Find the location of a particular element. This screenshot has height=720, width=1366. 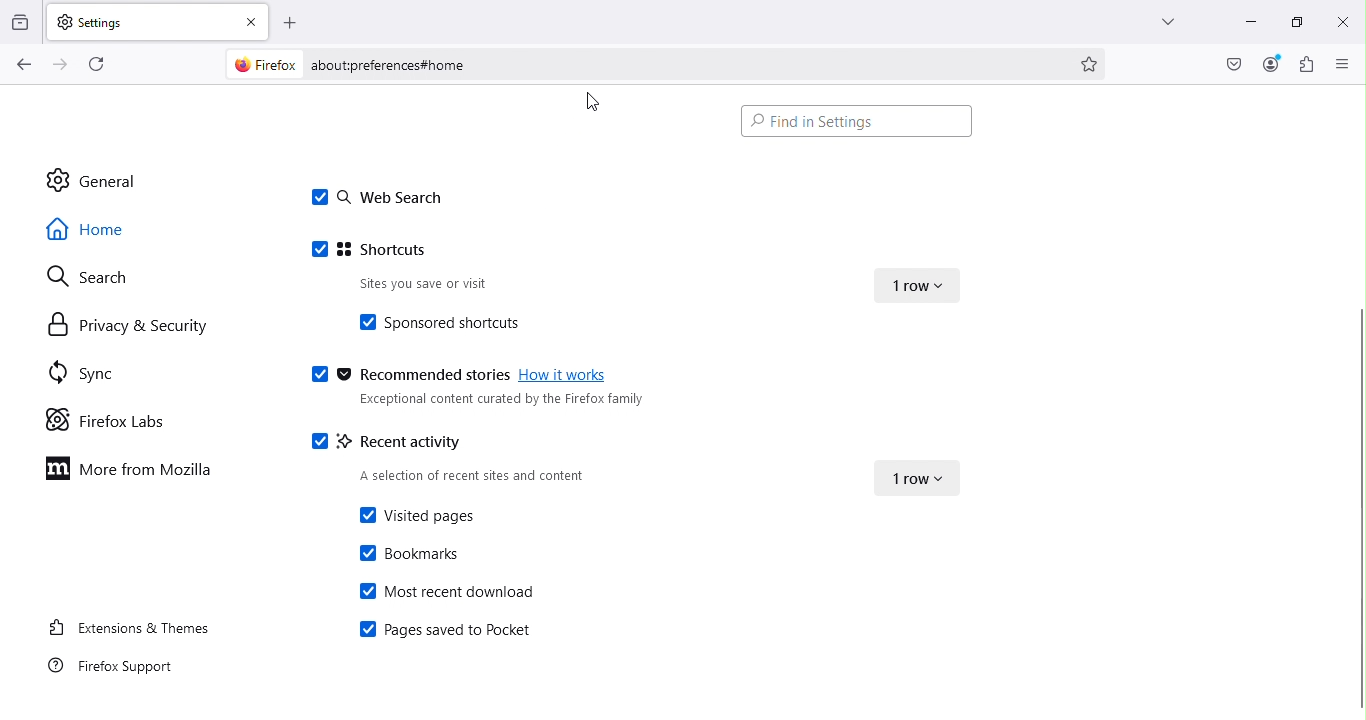

Home is located at coordinates (102, 227).